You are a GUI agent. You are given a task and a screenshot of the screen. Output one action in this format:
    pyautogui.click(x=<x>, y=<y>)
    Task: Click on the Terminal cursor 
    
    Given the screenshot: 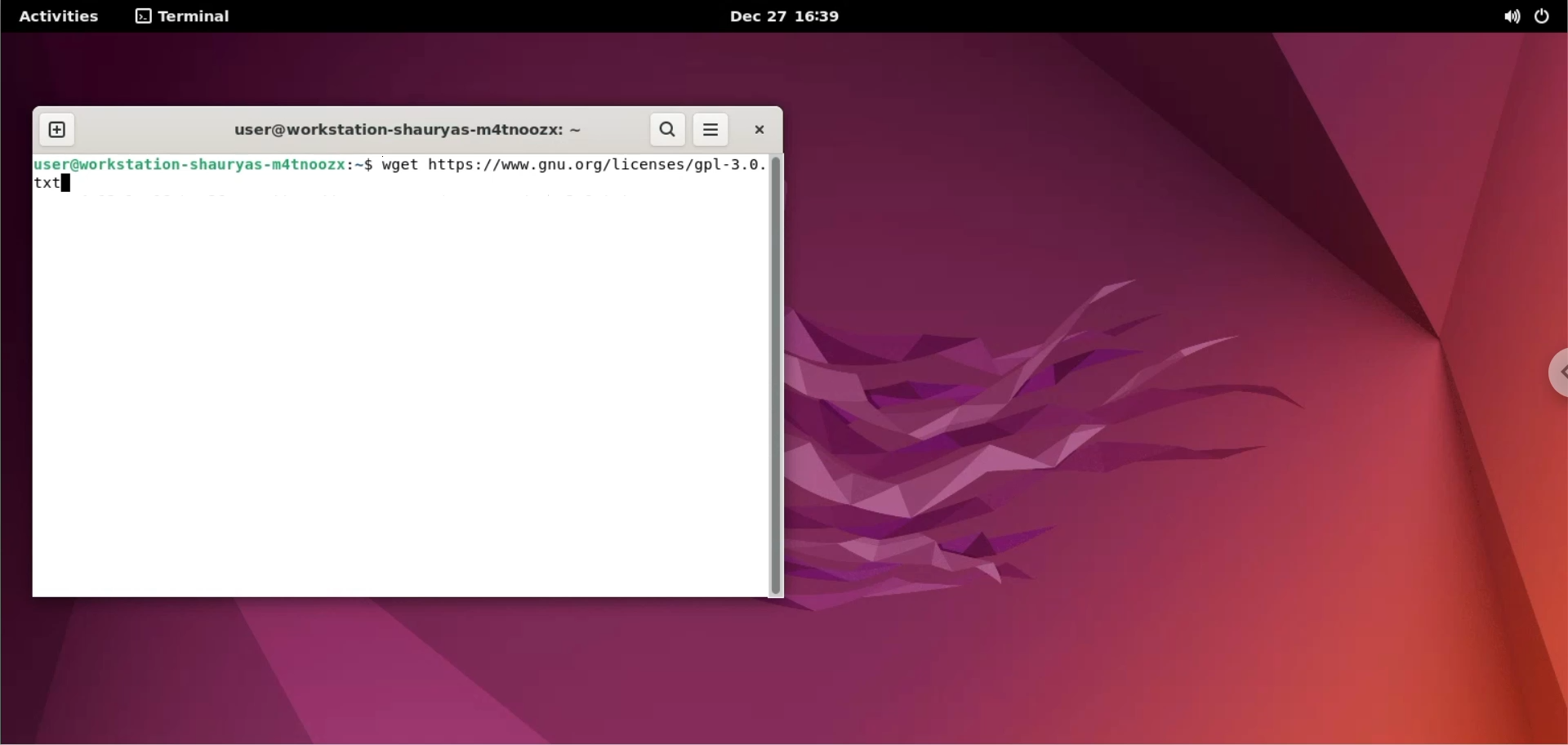 What is the action you would take?
    pyautogui.click(x=68, y=181)
    